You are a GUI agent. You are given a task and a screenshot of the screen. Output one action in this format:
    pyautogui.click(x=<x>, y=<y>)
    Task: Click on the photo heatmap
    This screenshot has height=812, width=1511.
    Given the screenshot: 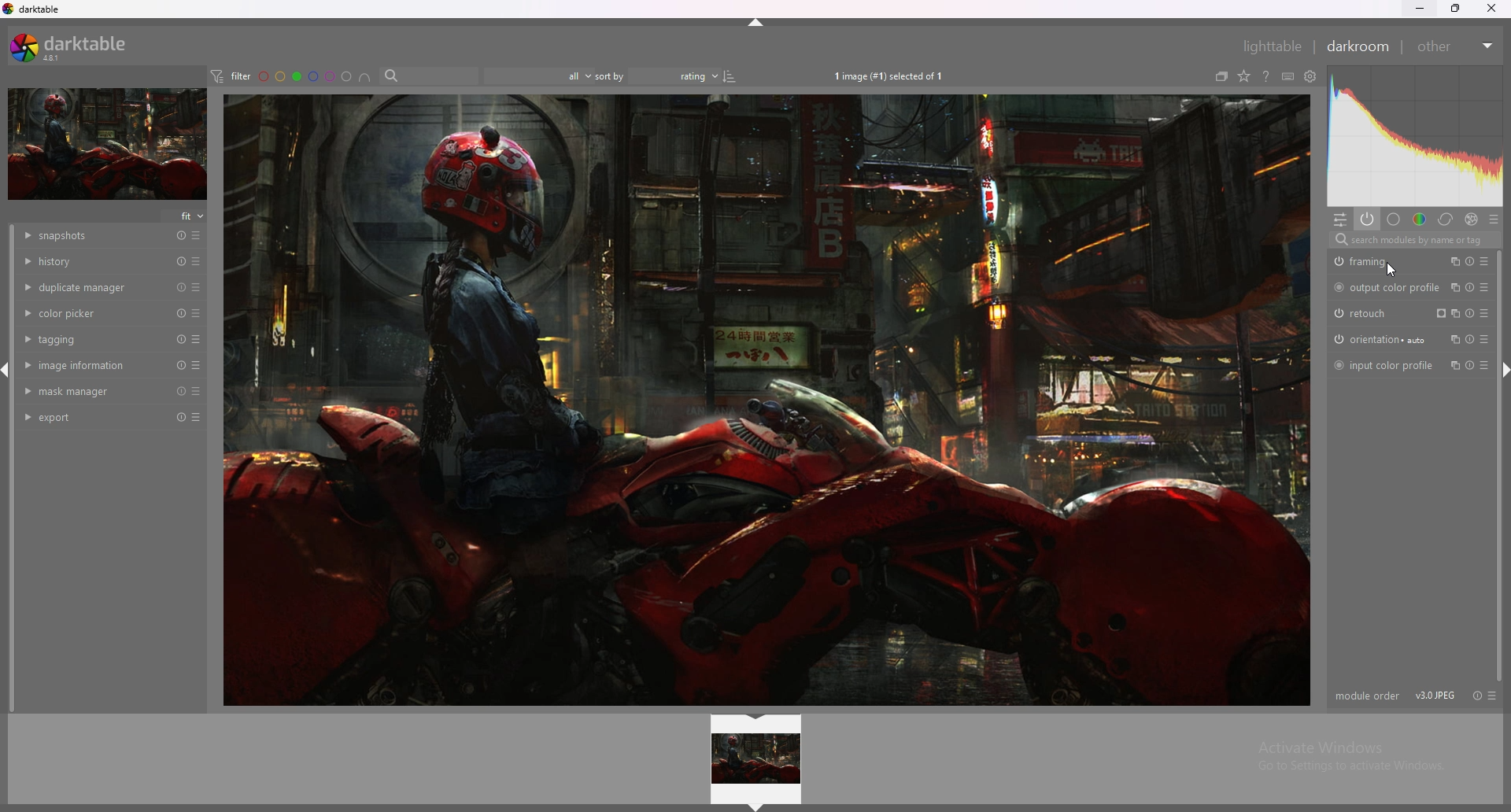 What is the action you would take?
    pyautogui.click(x=1416, y=135)
    